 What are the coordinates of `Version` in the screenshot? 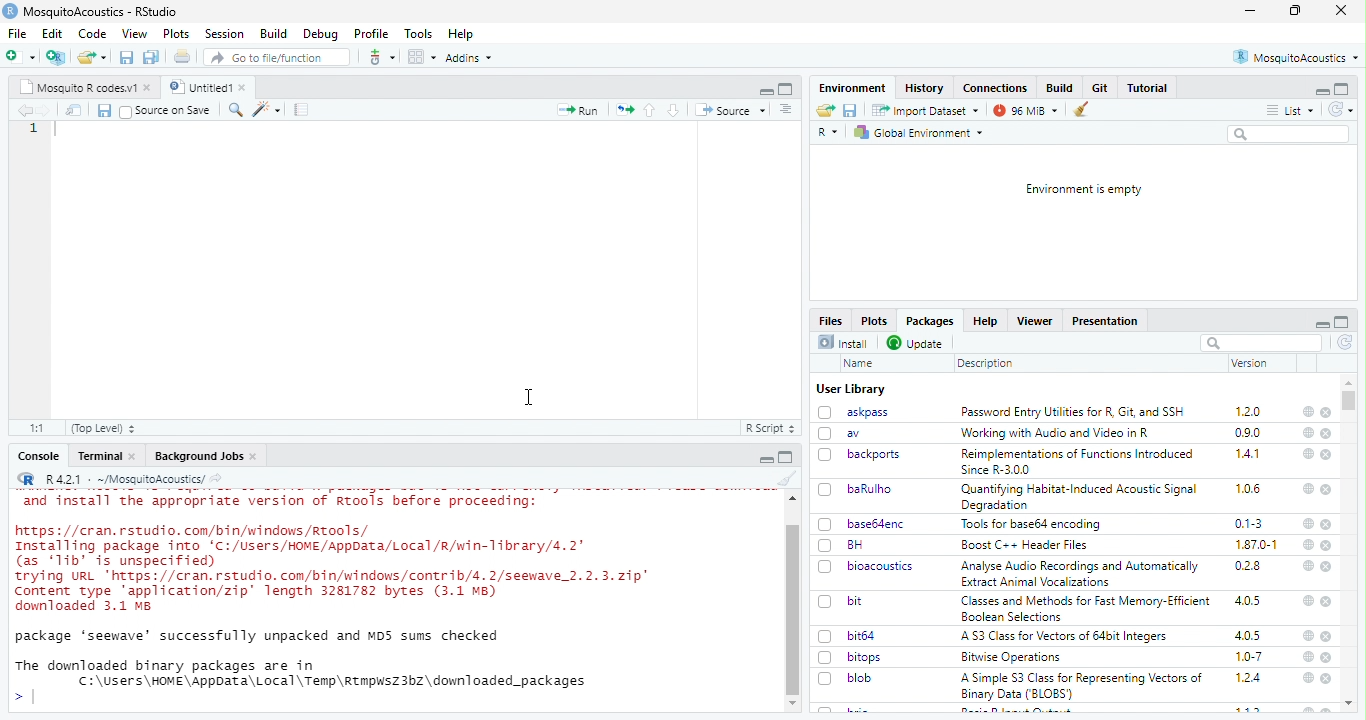 It's located at (1251, 363).